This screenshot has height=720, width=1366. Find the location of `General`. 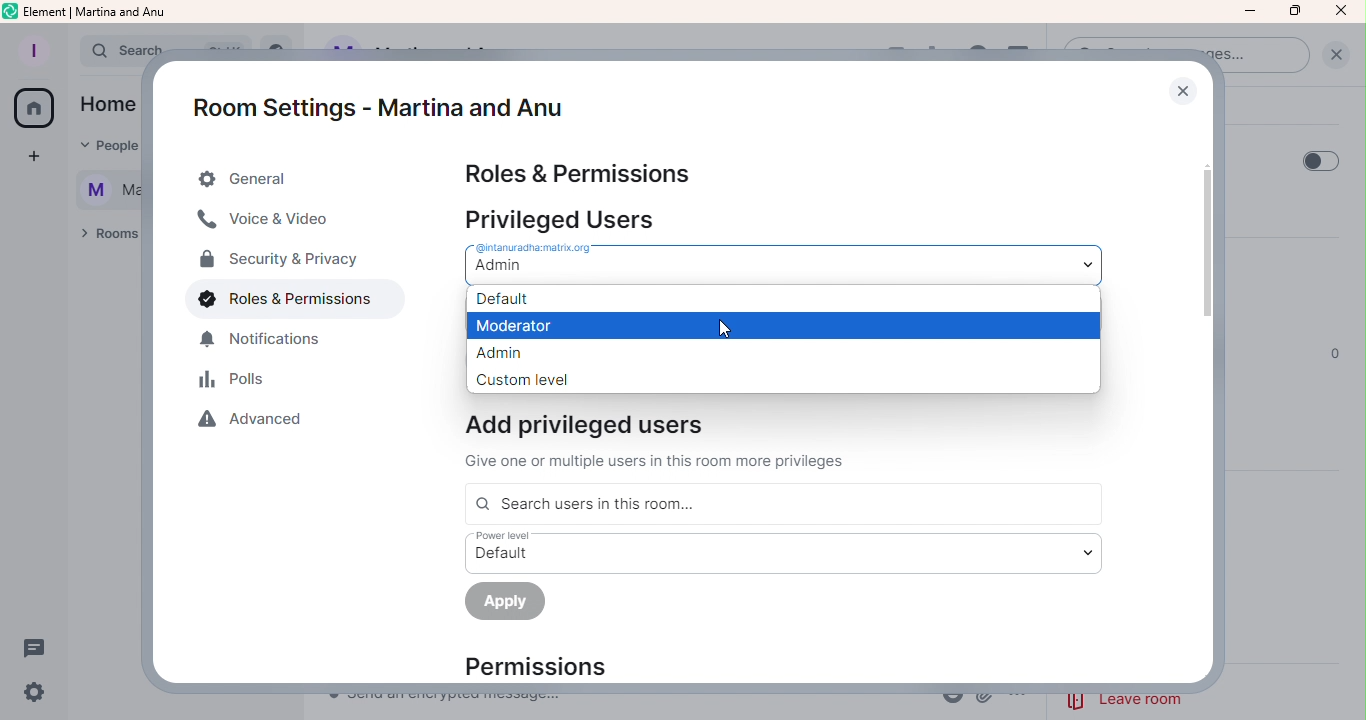

General is located at coordinates (285, 179).